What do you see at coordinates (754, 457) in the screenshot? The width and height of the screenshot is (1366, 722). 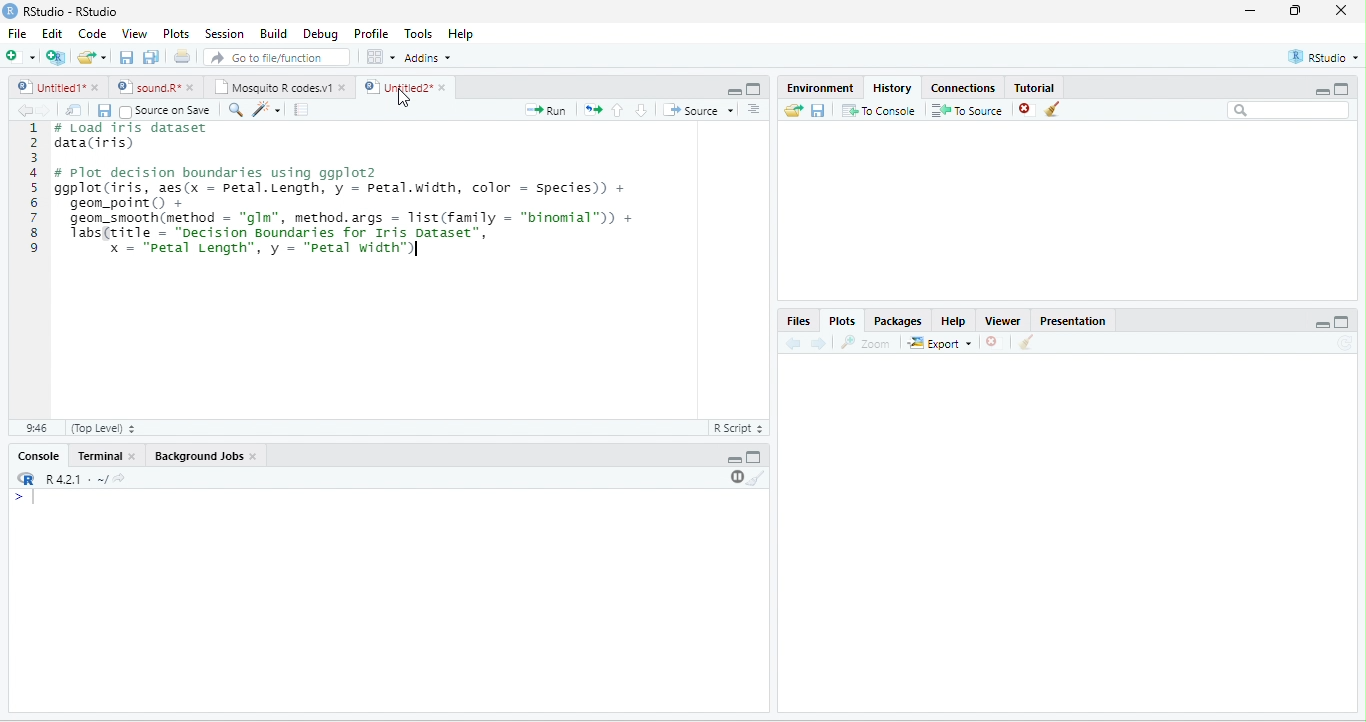 I see `Maximize` at bounding box center [754, 457].